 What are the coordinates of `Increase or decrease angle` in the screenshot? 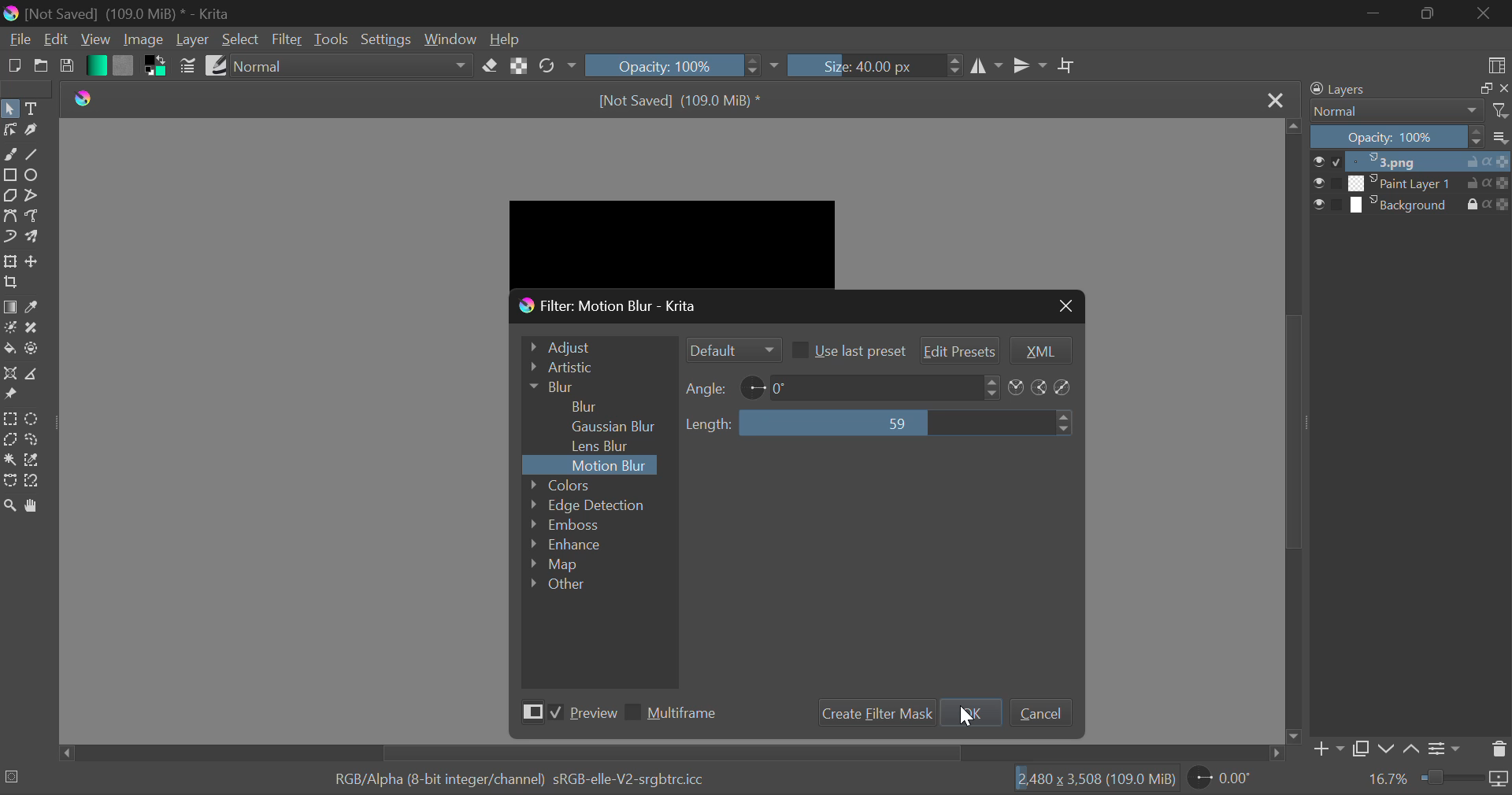 It's located at (992, 386).